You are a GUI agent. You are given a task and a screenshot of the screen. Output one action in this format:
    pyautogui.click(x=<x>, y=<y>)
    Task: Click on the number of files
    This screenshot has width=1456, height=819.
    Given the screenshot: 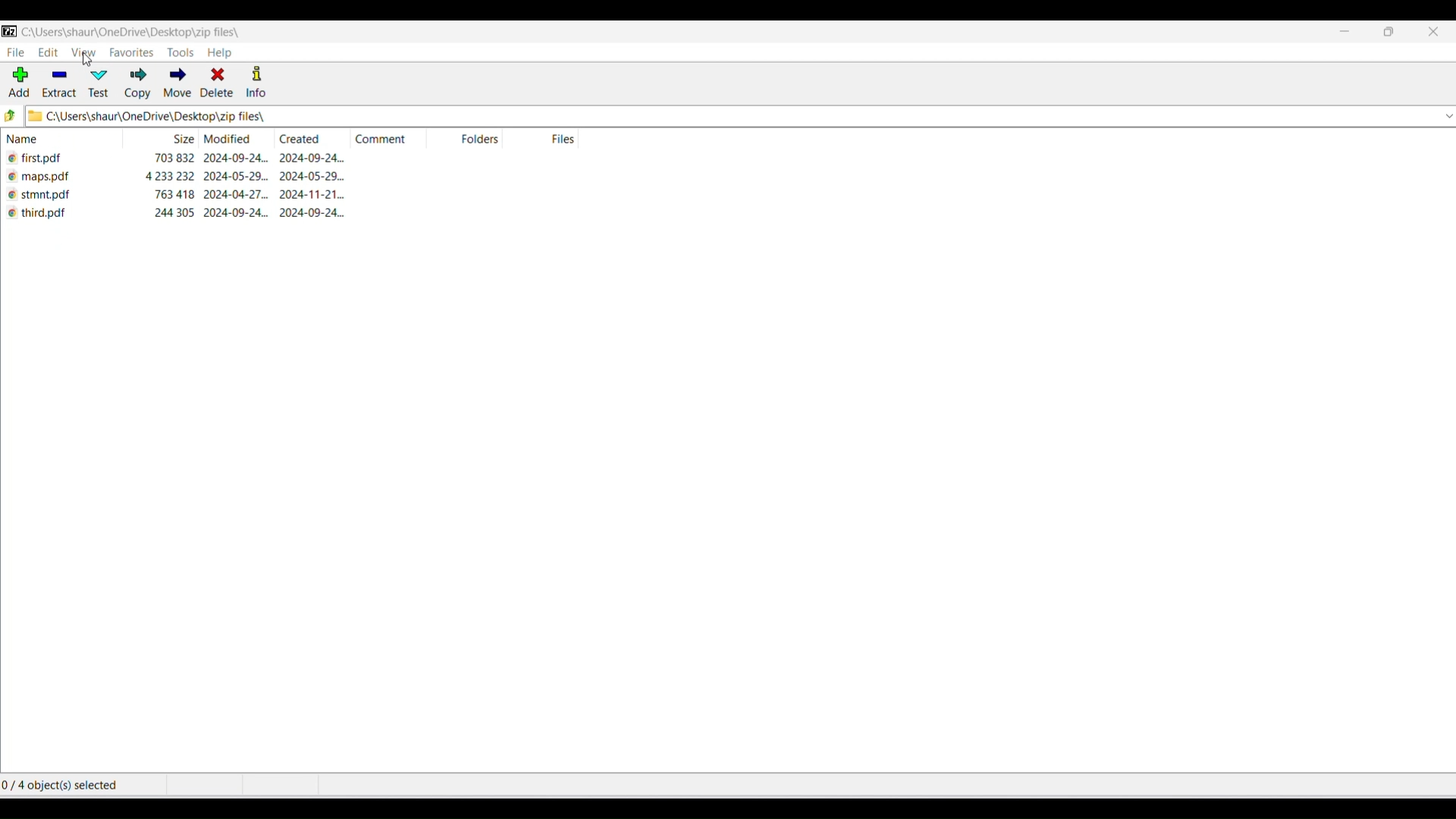 What is the action you would take?
    pyautogui.click(x=566, y=140)
    